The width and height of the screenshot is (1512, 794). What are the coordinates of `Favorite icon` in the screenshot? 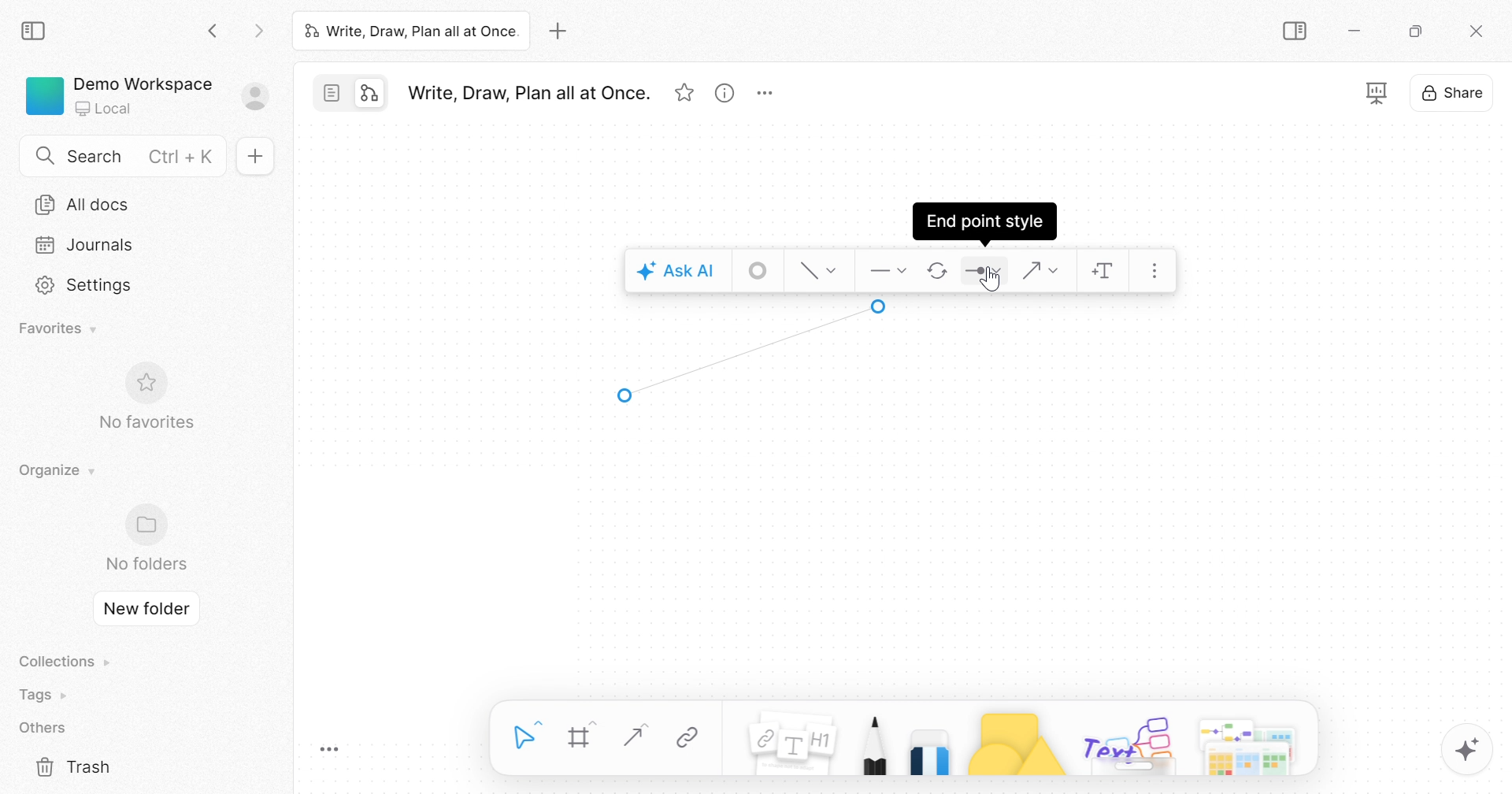 It's located at (150, 383).